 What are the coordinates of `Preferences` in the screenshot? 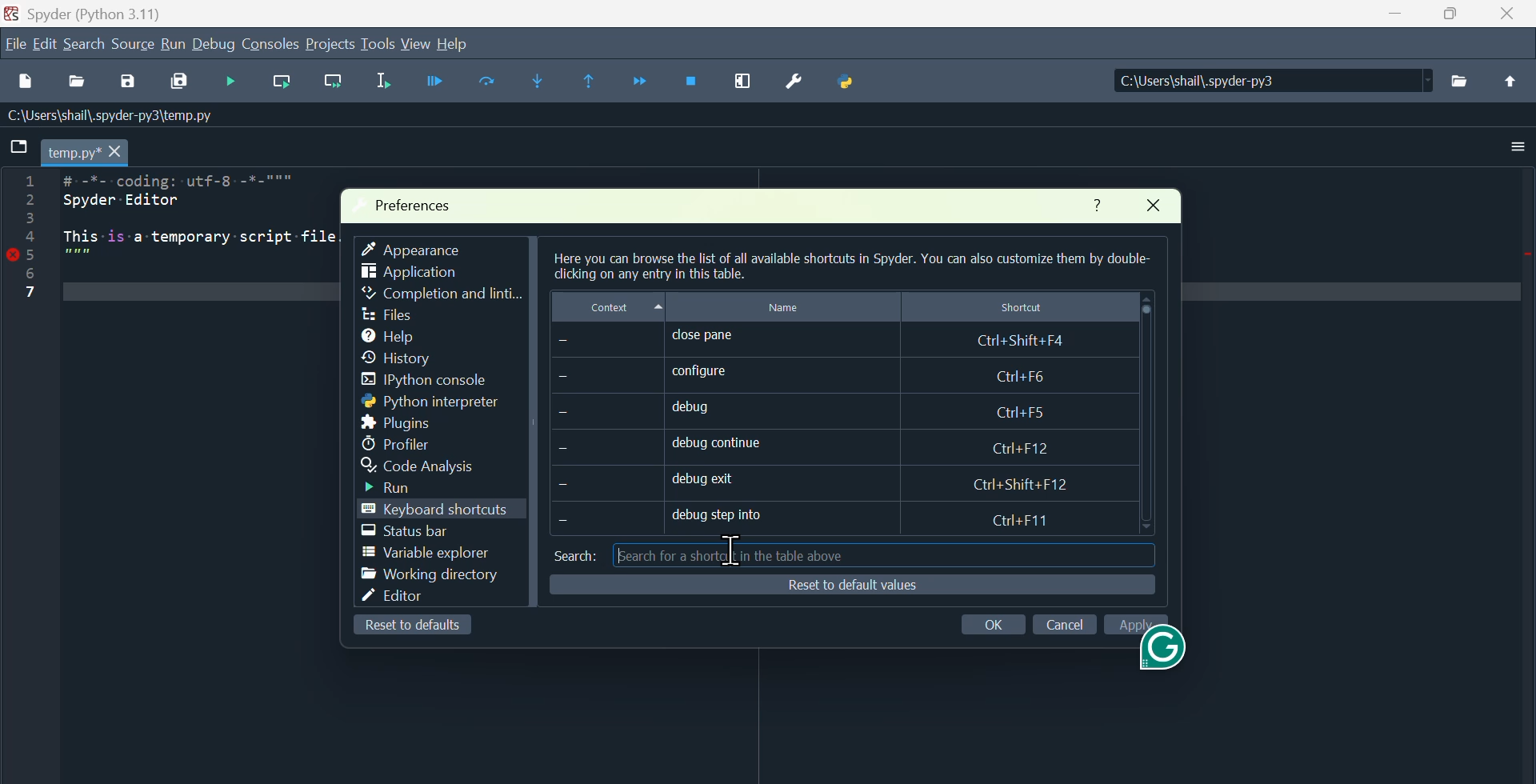 It's located at (420, 200).